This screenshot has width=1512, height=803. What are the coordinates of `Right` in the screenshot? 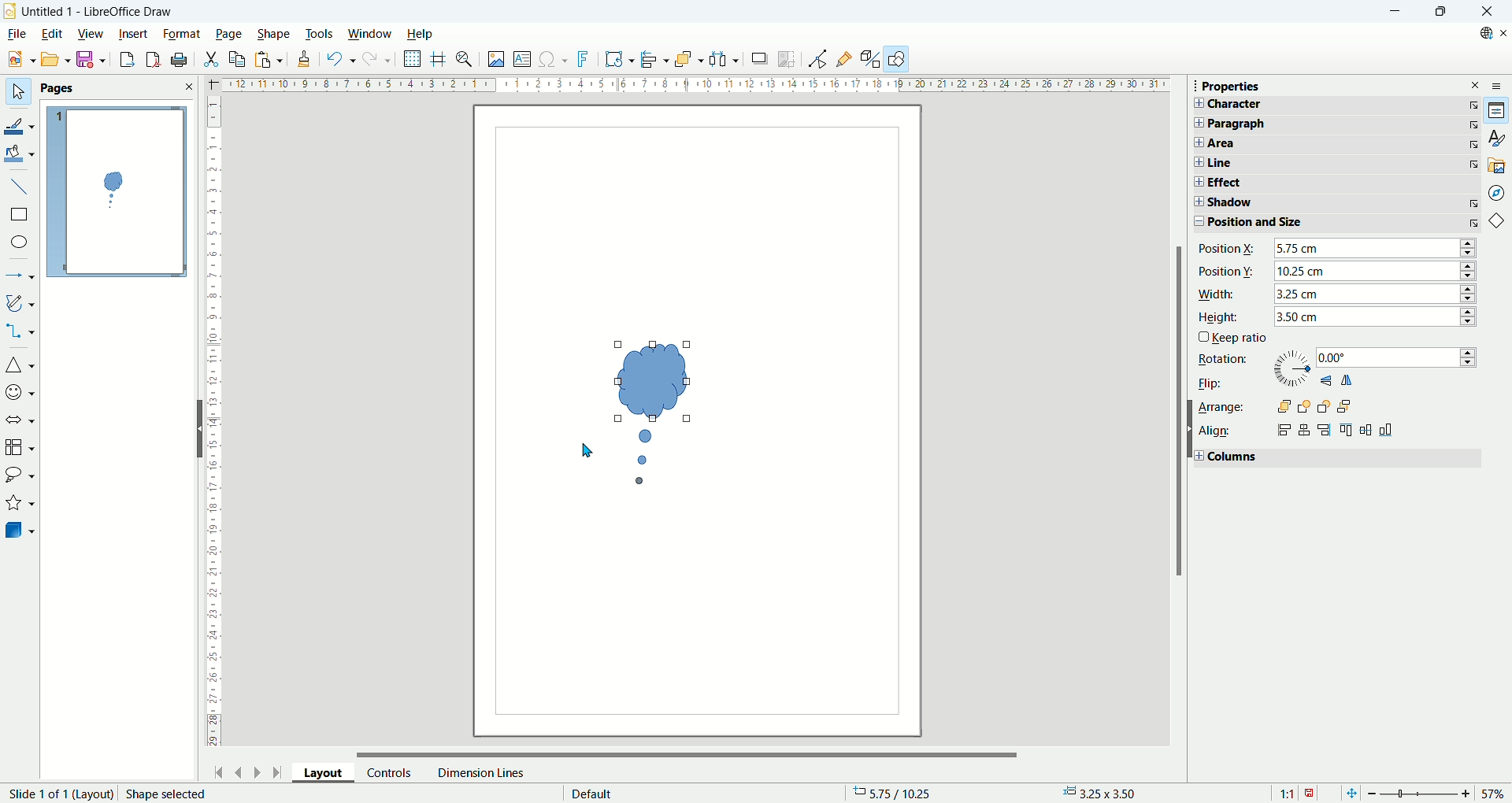 It's located at (1325, 430).